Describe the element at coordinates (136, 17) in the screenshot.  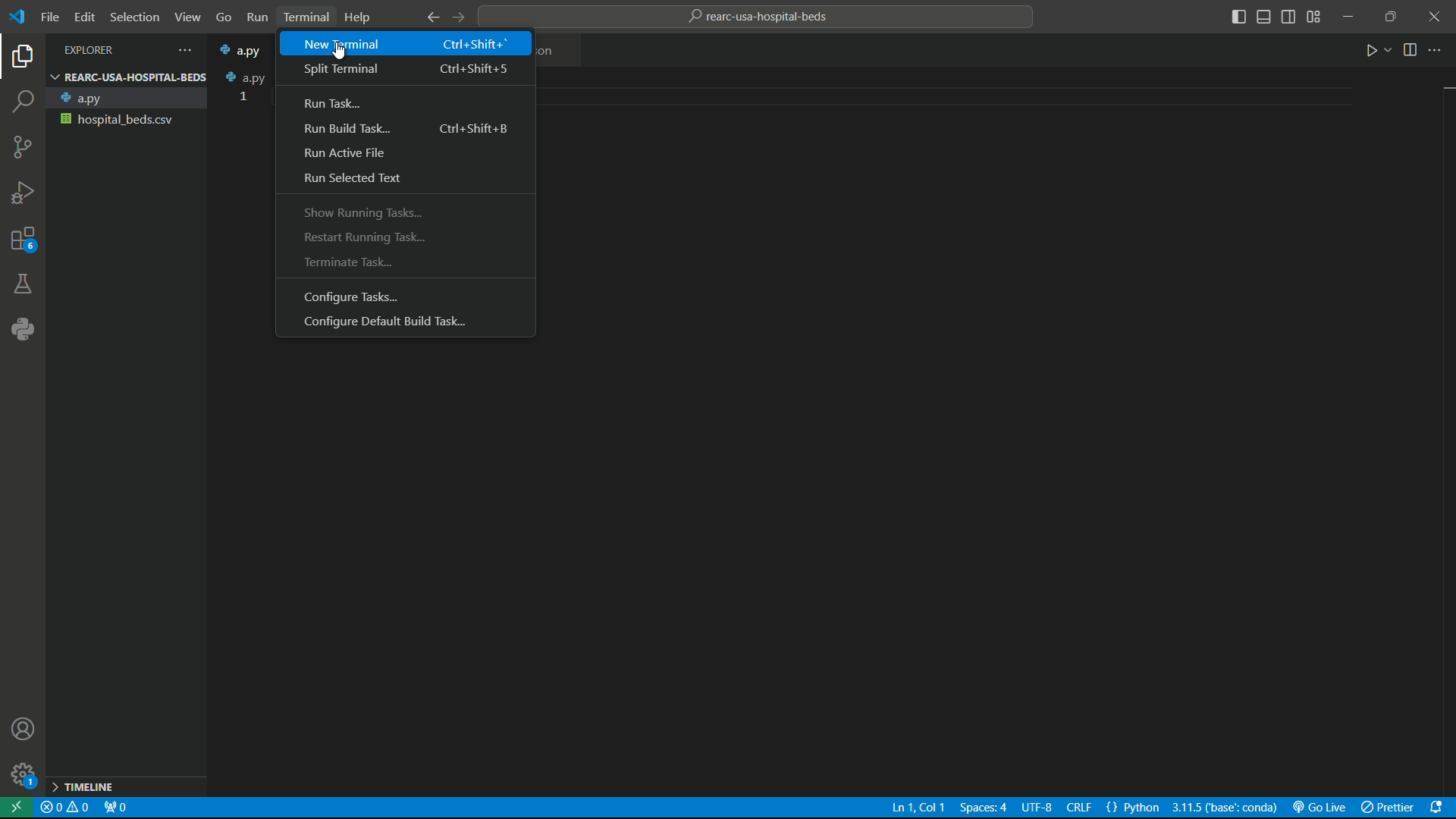
I see `selection menu` at that location.